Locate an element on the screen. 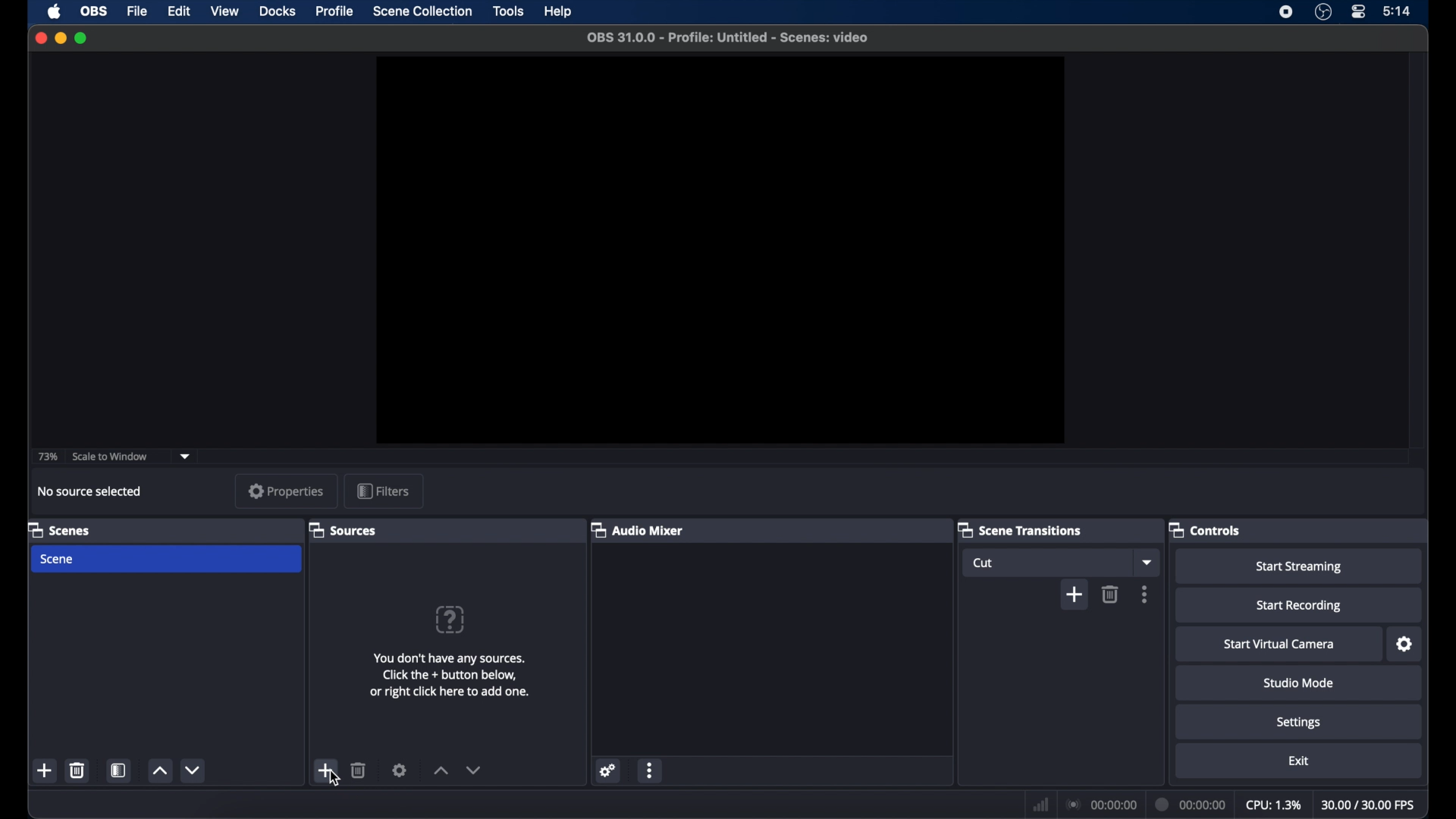 The height and width of the screenshot is (819, 1456). controls is located at coordinates (1205, 529).